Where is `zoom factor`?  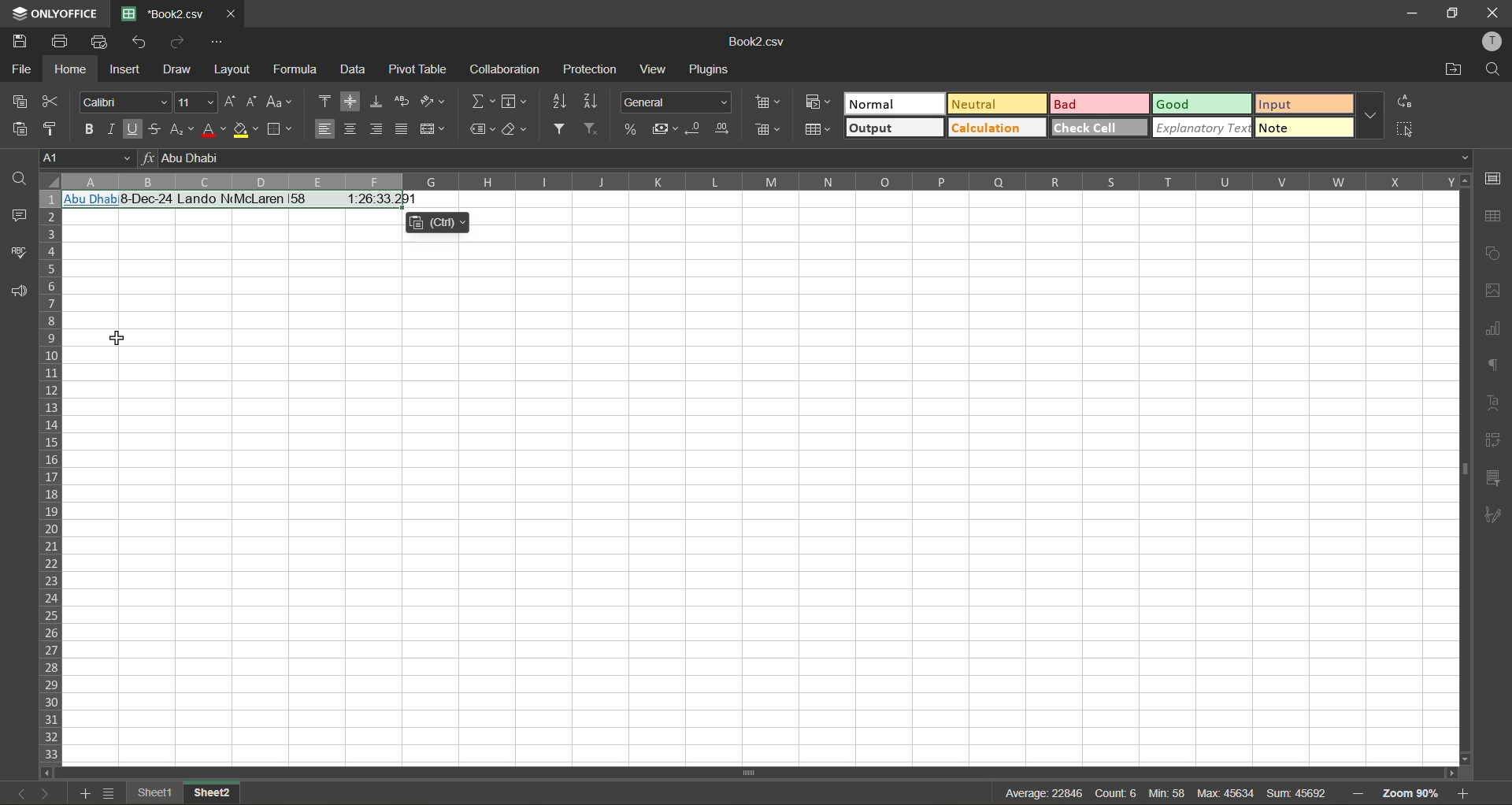
zoom factor is located at coordinates (1416, 793).